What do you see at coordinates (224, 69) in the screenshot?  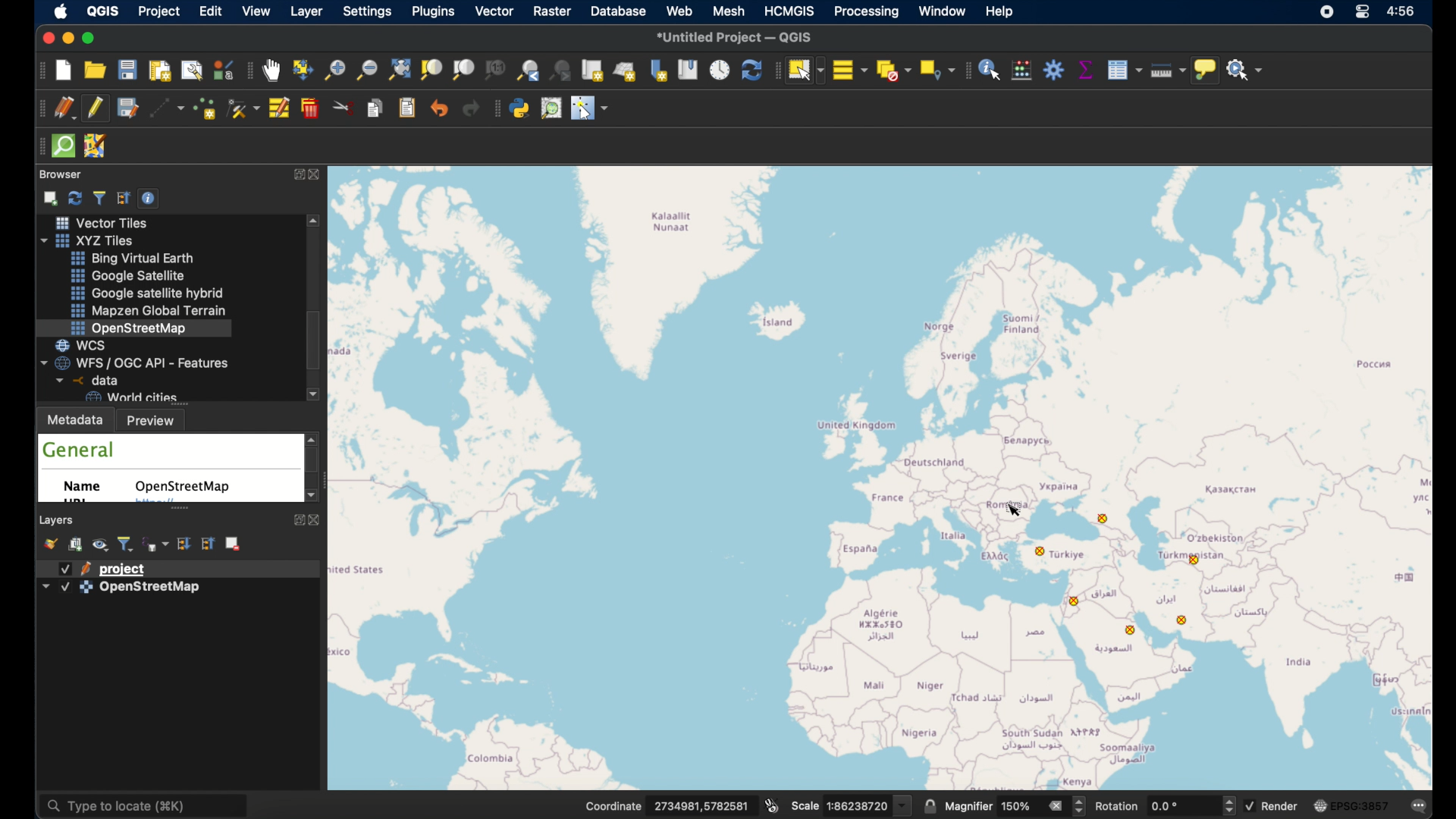 I see `style manager` at bounding box center [224, 69].